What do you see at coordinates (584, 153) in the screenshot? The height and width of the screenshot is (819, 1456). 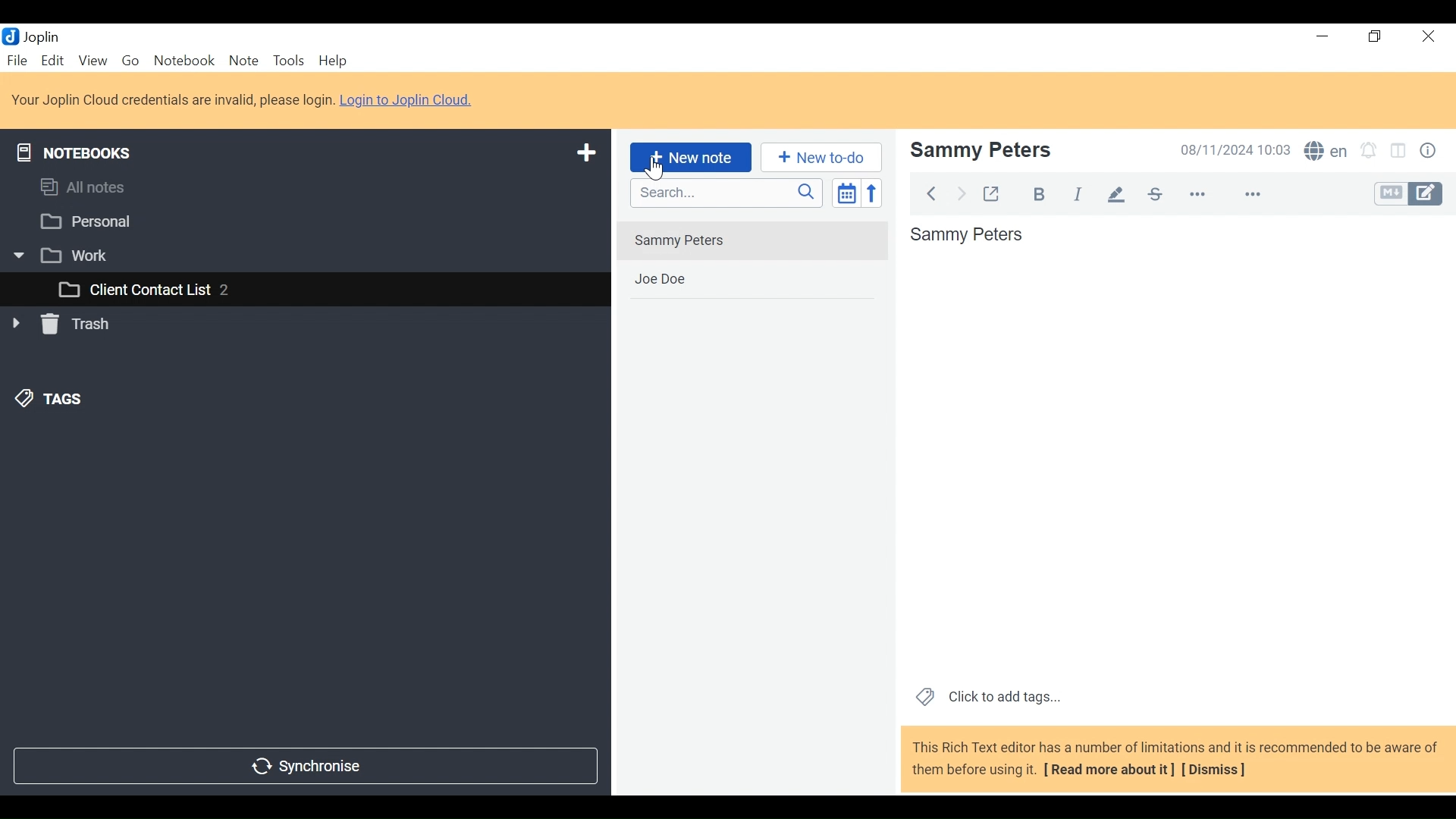 I see `Add a notebook` at bounding box center [584, 153].